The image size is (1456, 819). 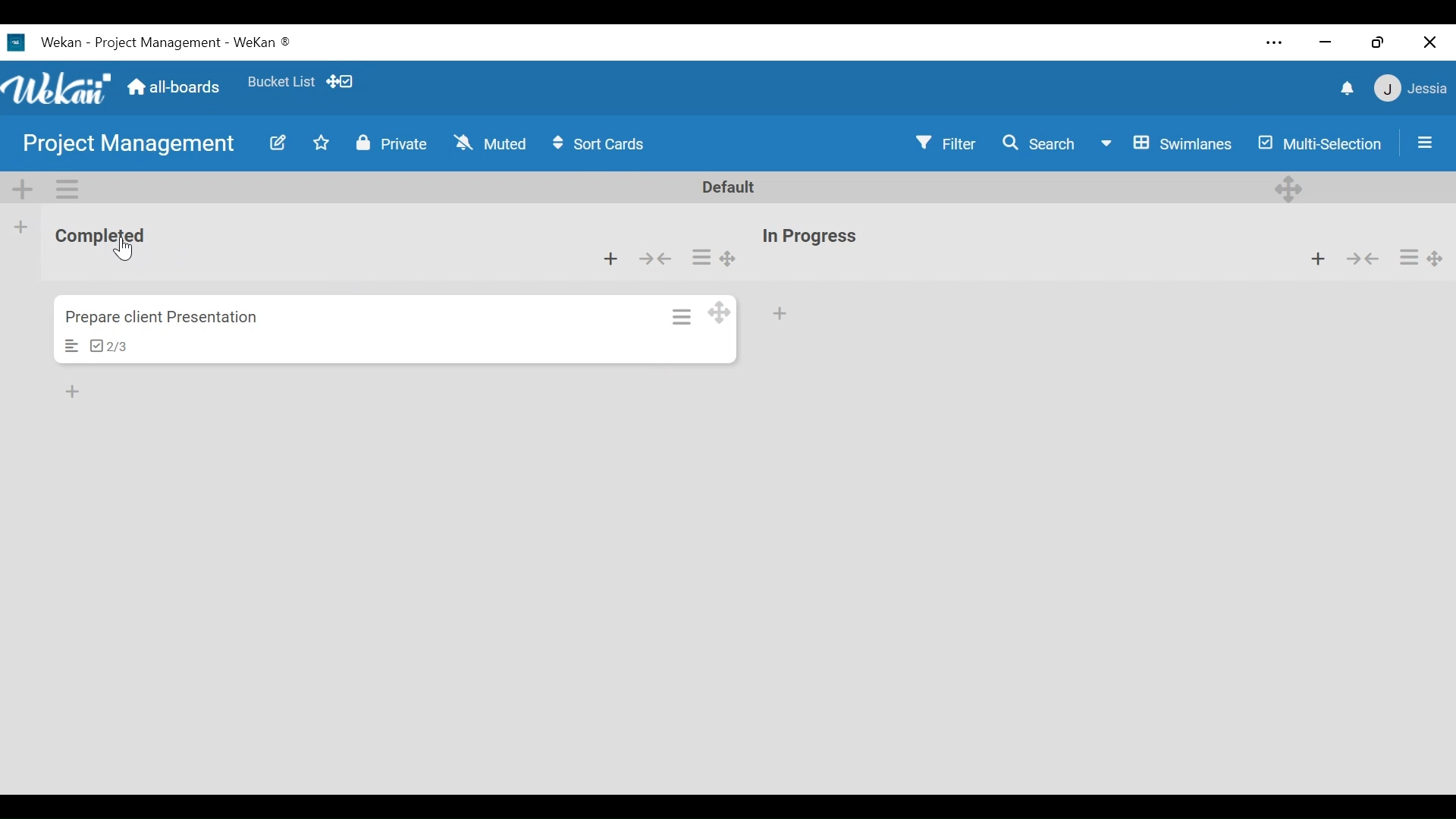 I want to click on Desktop drag handles, so click(x=1289, y=187).